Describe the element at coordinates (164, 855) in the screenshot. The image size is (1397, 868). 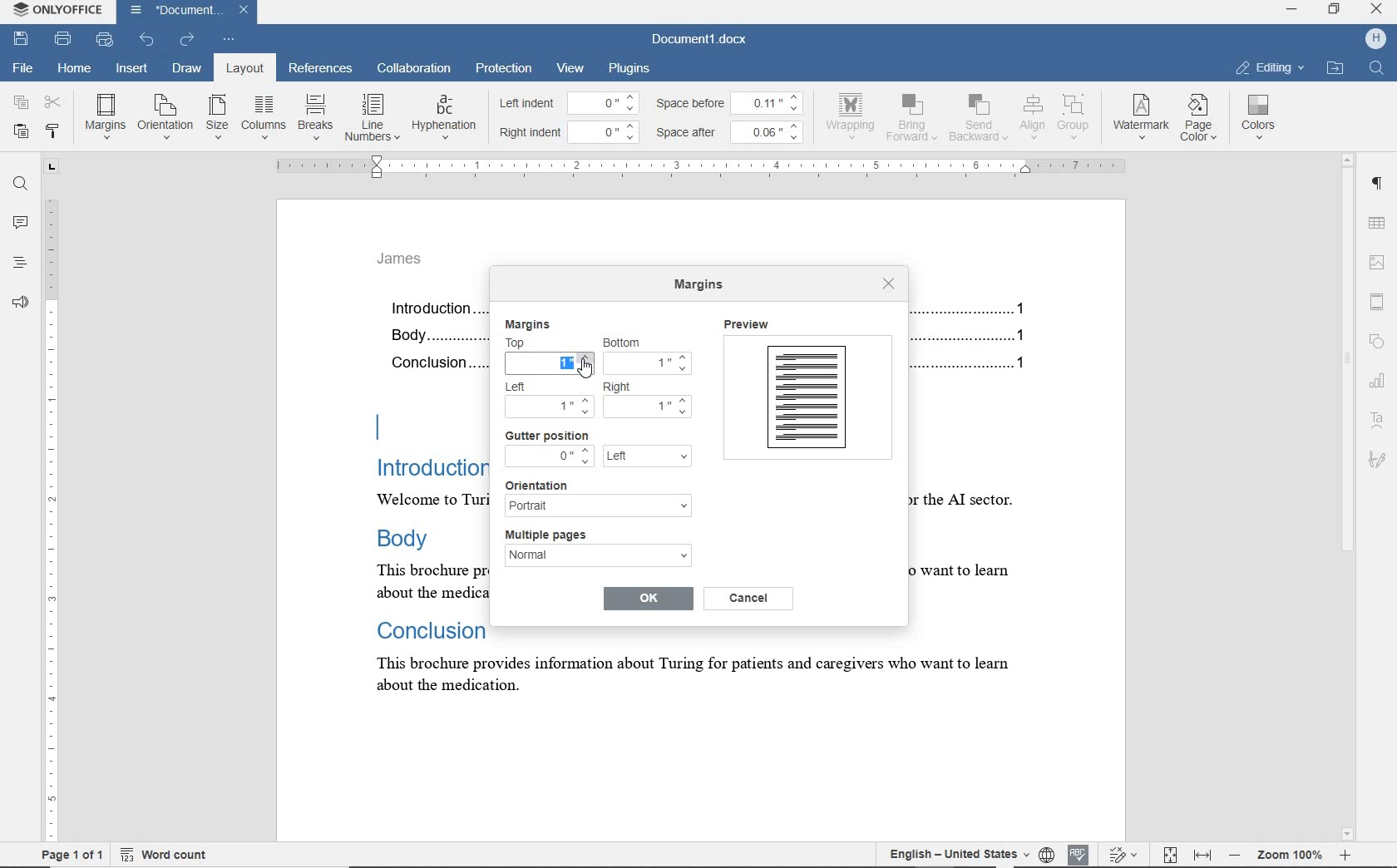
I see `word count` at that location.